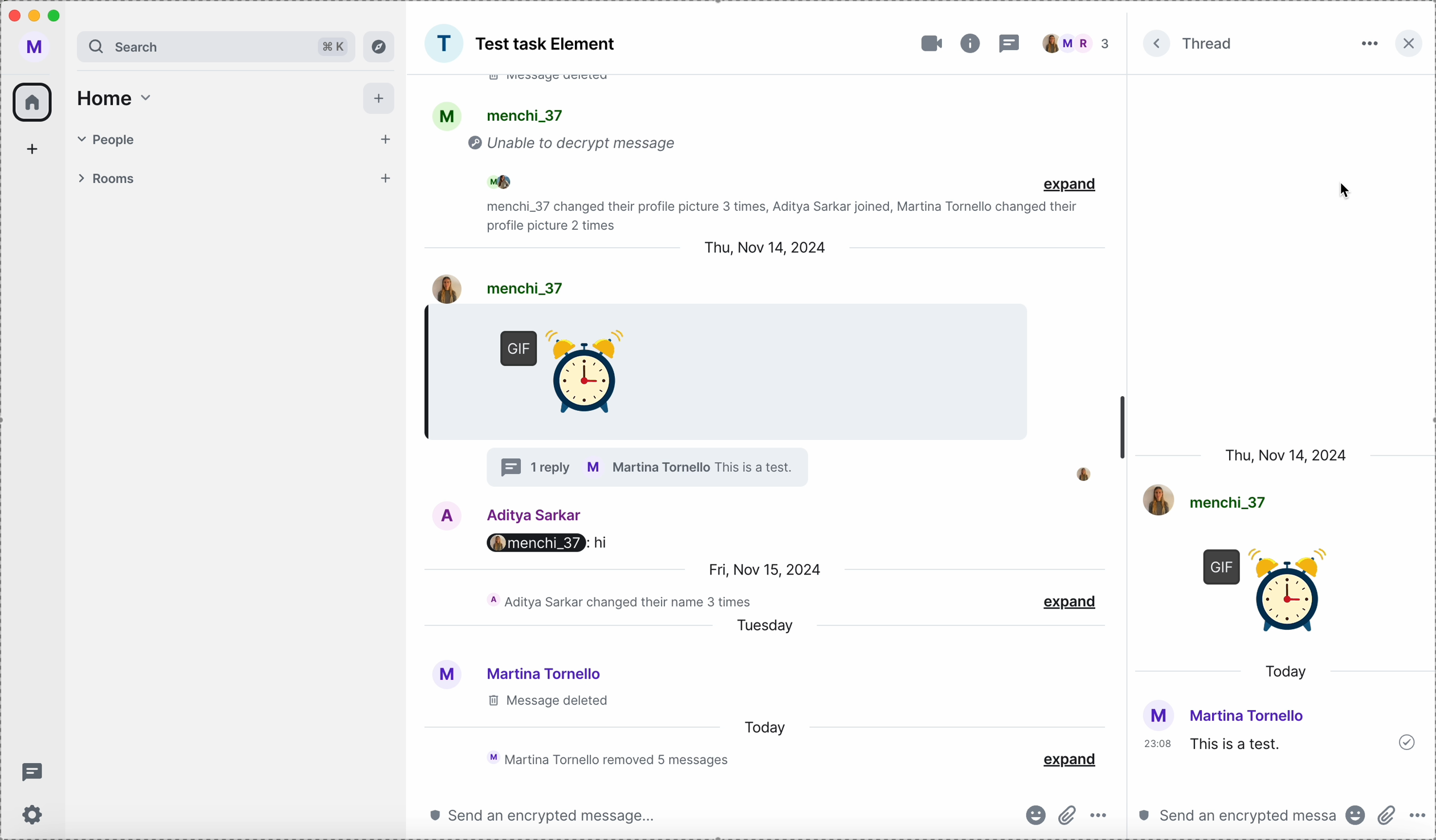 The width and height of the screenshot is (1436, 840). What do you see at coordinates (36, 18) in the screenshot?
I see `minimize program` at bounding box center [36, 18].